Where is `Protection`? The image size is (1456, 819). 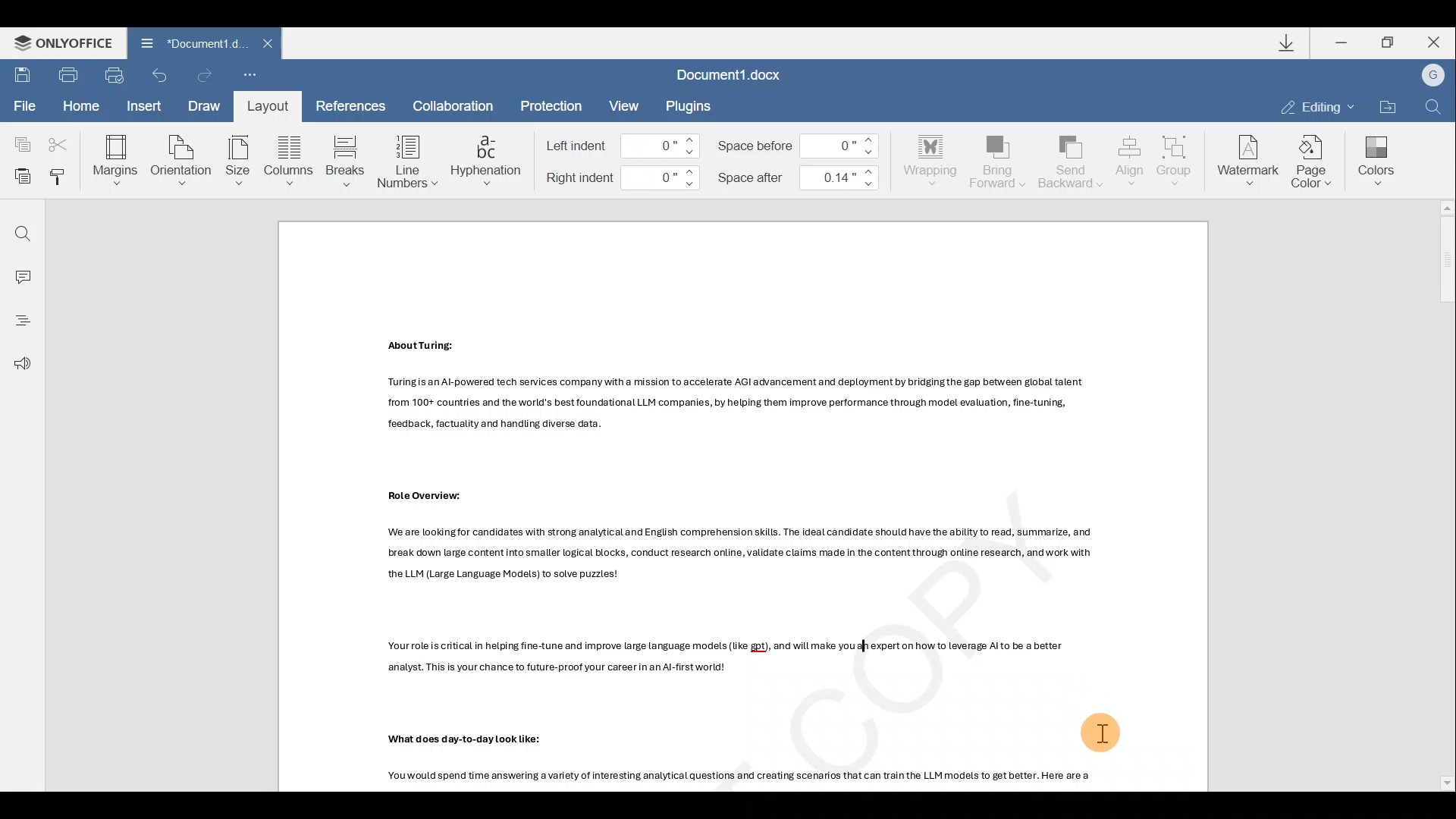
Protection is located at coordinates (554, 104).